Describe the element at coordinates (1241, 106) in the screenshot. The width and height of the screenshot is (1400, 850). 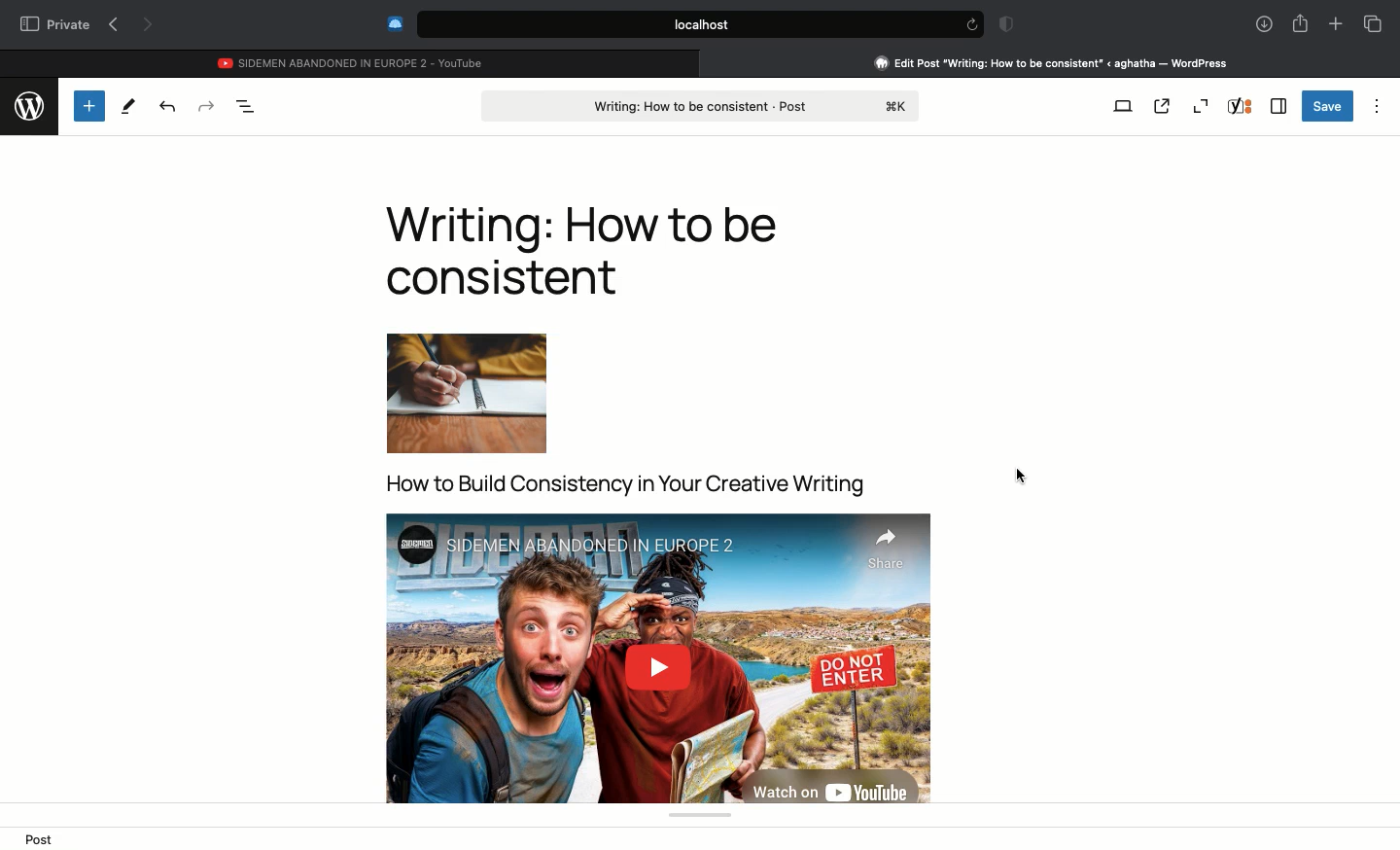
I see `Yoast` at that location.